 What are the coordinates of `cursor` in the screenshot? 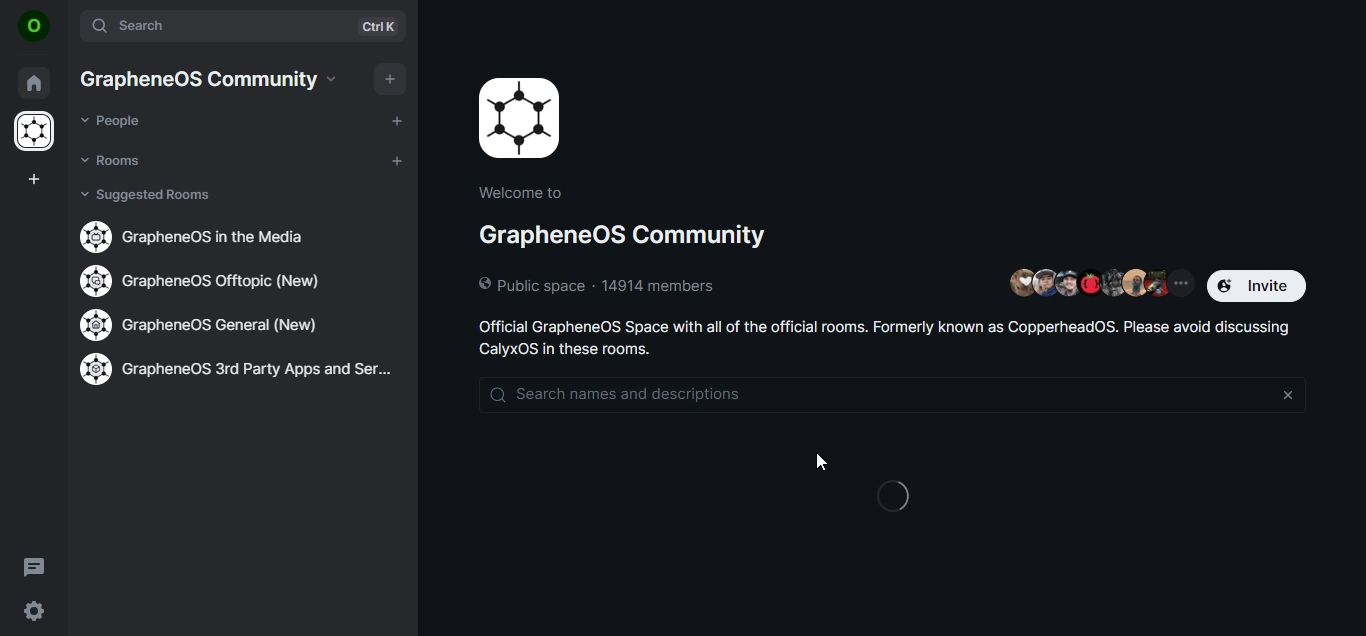 It's located at (824, 464).